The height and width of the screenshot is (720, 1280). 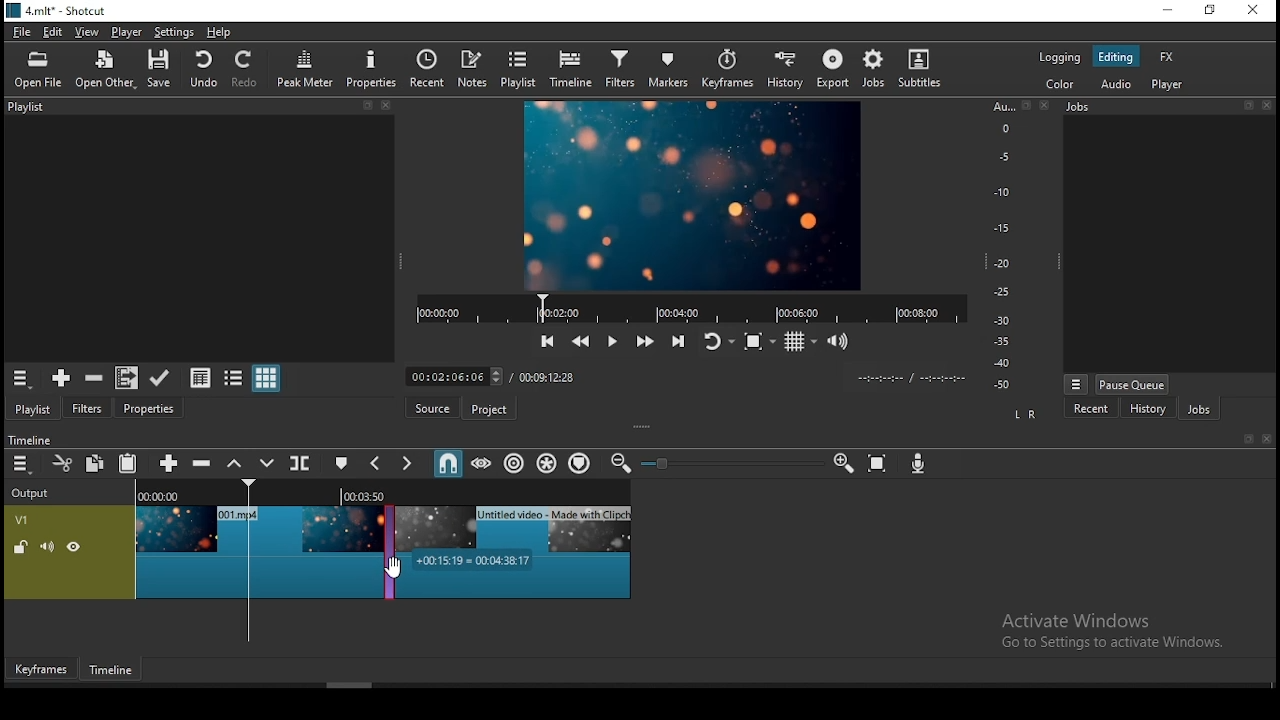 I want to click on scale, so click(x=1007, y=243).